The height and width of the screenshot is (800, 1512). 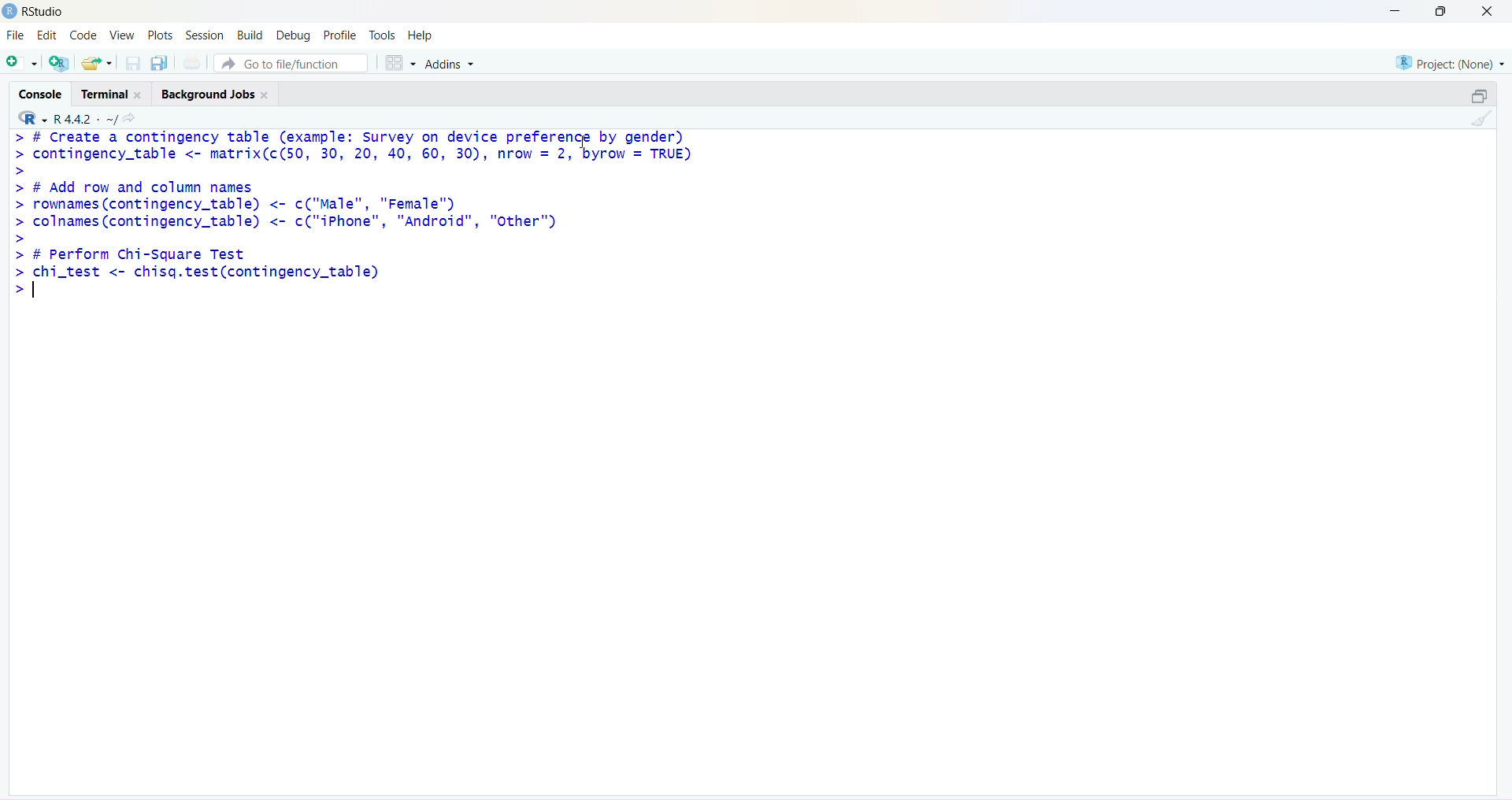 What do you see at coordinates (11, 12) in the screenshot?
I see `logo` at bounding box center [11, 12].